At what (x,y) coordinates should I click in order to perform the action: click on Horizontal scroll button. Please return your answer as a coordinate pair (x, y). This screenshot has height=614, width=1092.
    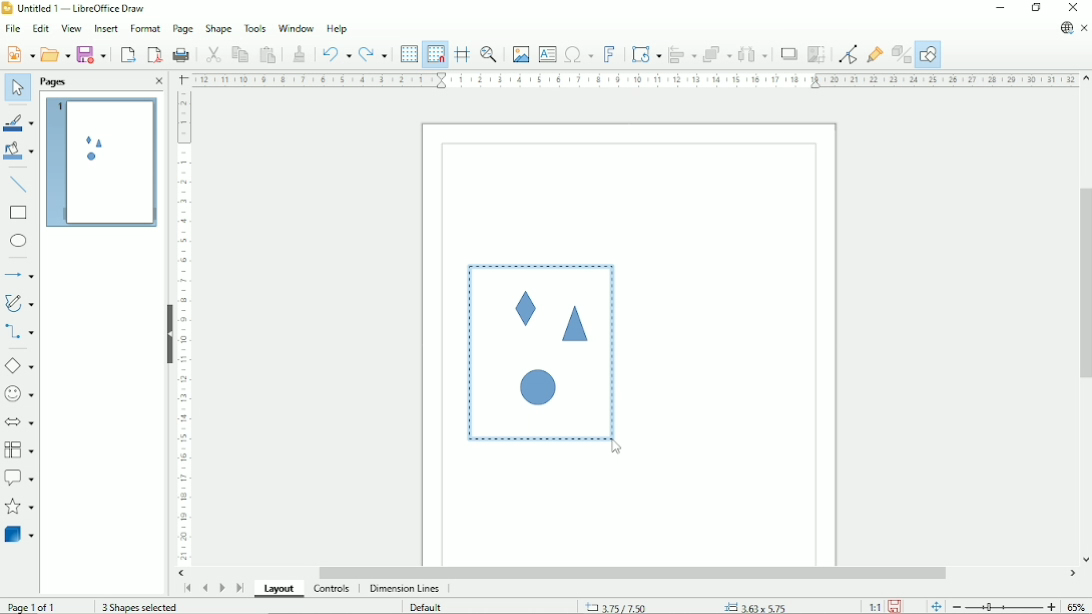
    Looking at the image, I should click on (183, 573).